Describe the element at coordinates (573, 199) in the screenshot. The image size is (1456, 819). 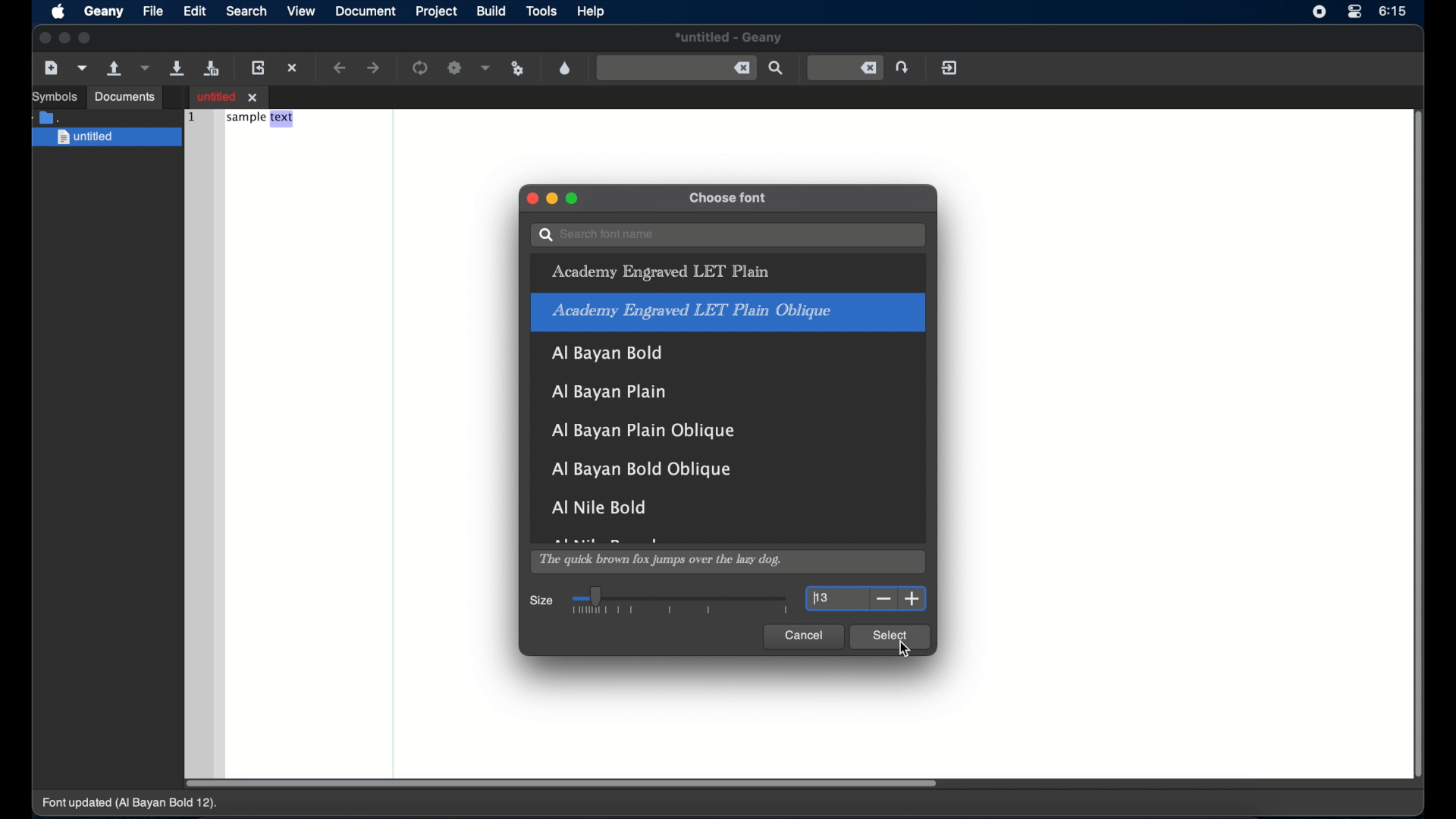
I see `maximize` at that location.